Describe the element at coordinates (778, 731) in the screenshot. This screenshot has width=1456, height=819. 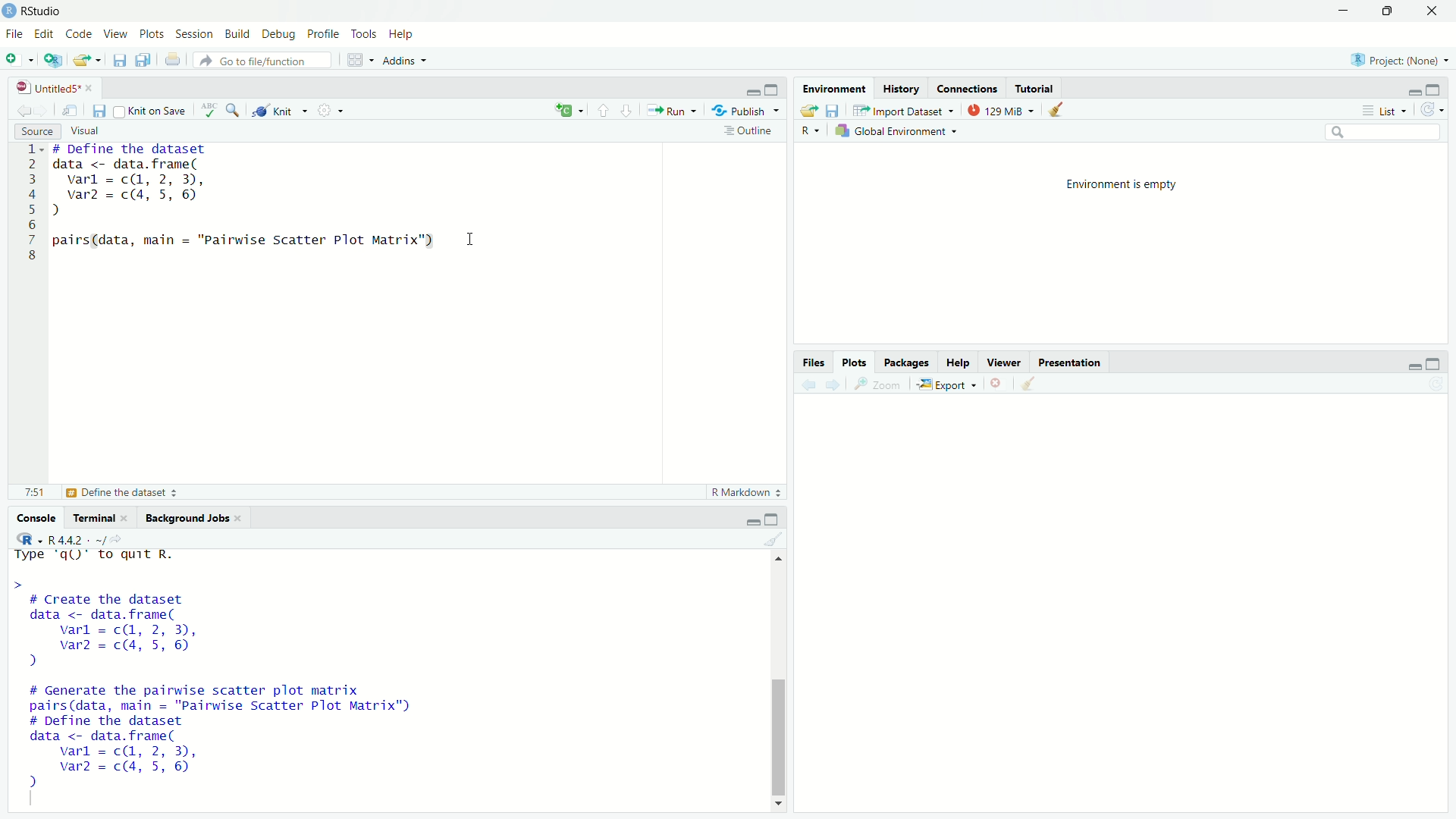
I see `Scrollbar` at that location.